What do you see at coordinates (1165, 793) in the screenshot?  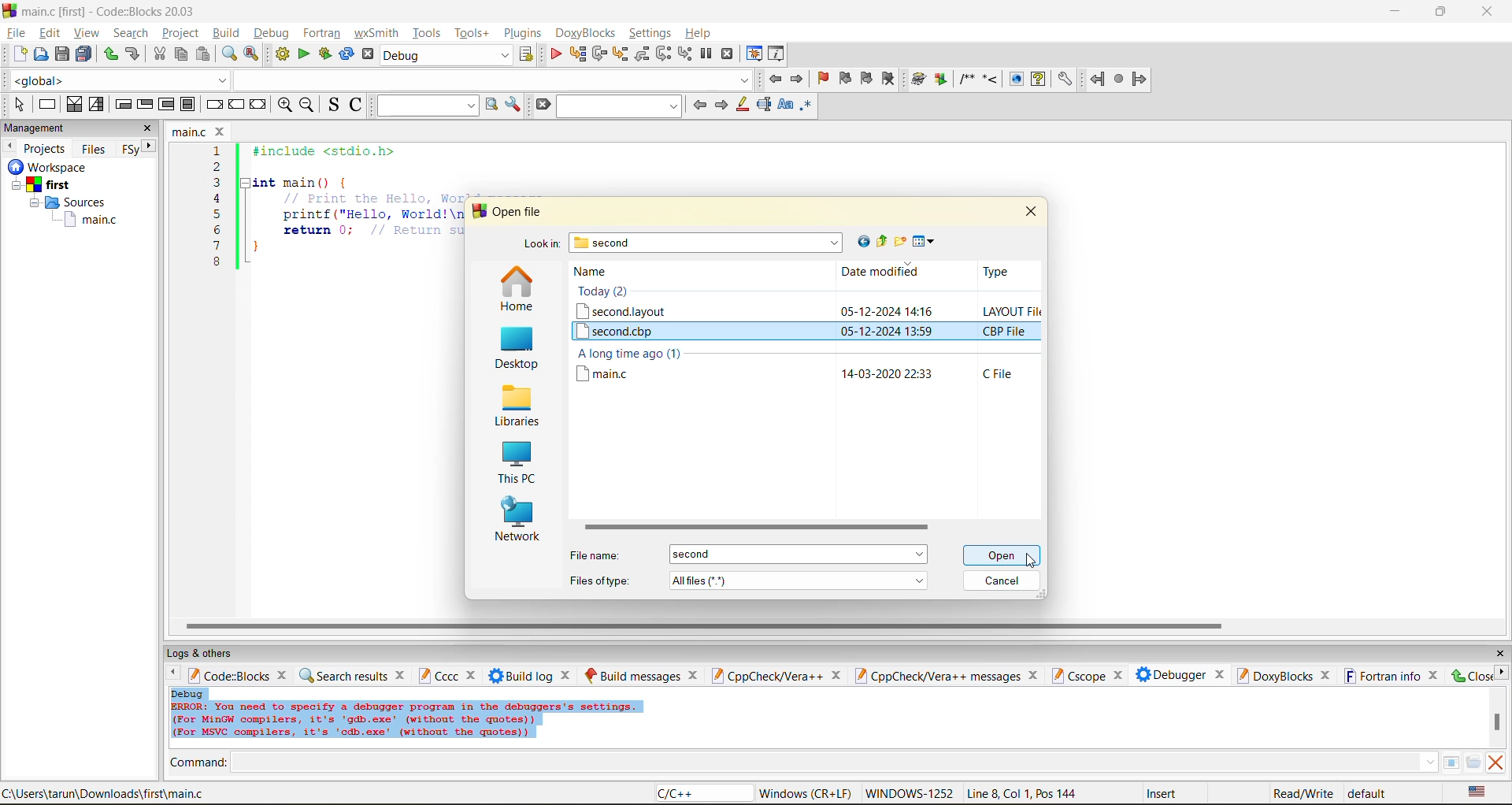 I see `insert` at bounding box center [1165, 793].